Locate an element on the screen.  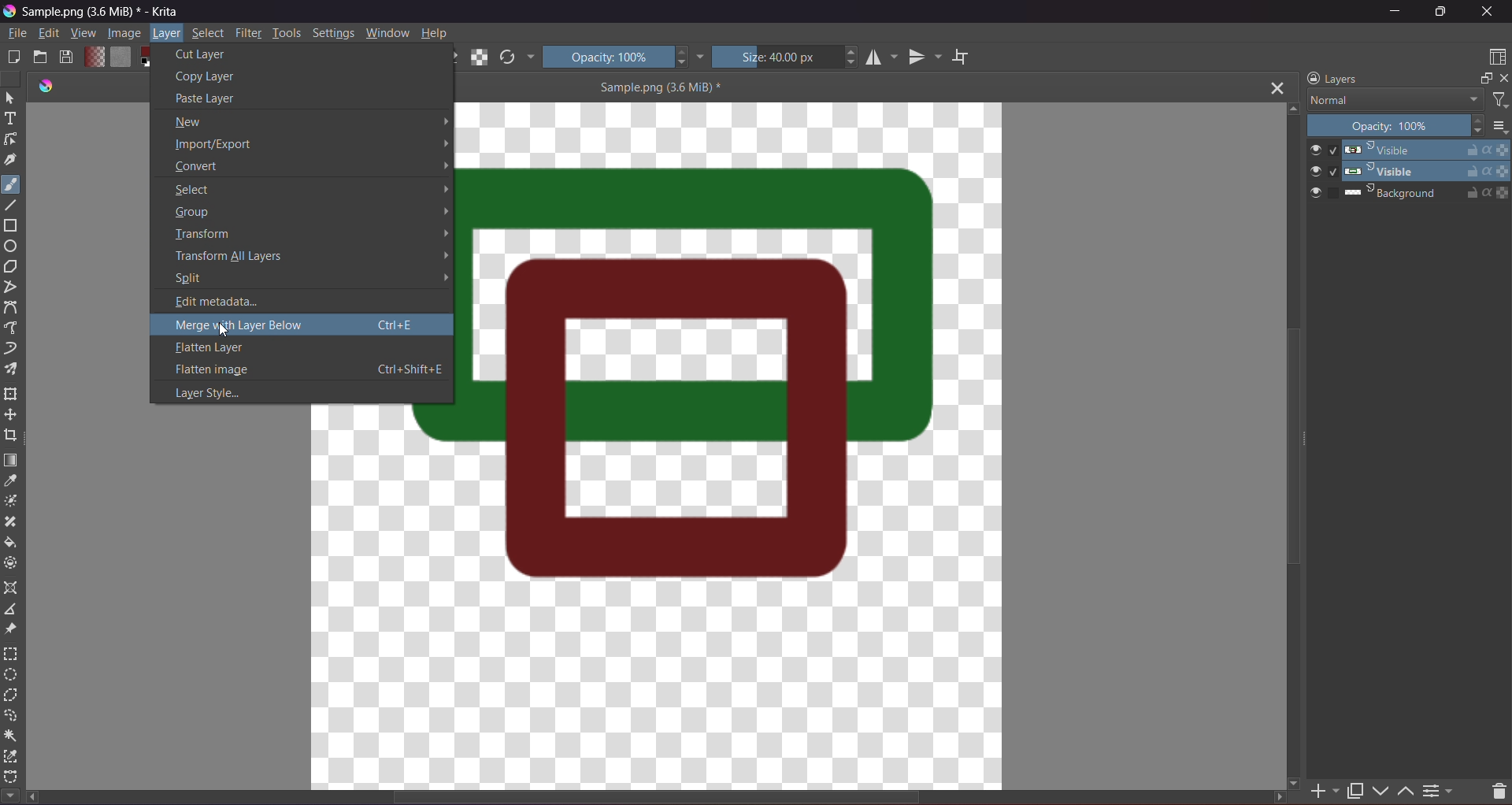
Freehand Path is located at coordinates (14, 328).